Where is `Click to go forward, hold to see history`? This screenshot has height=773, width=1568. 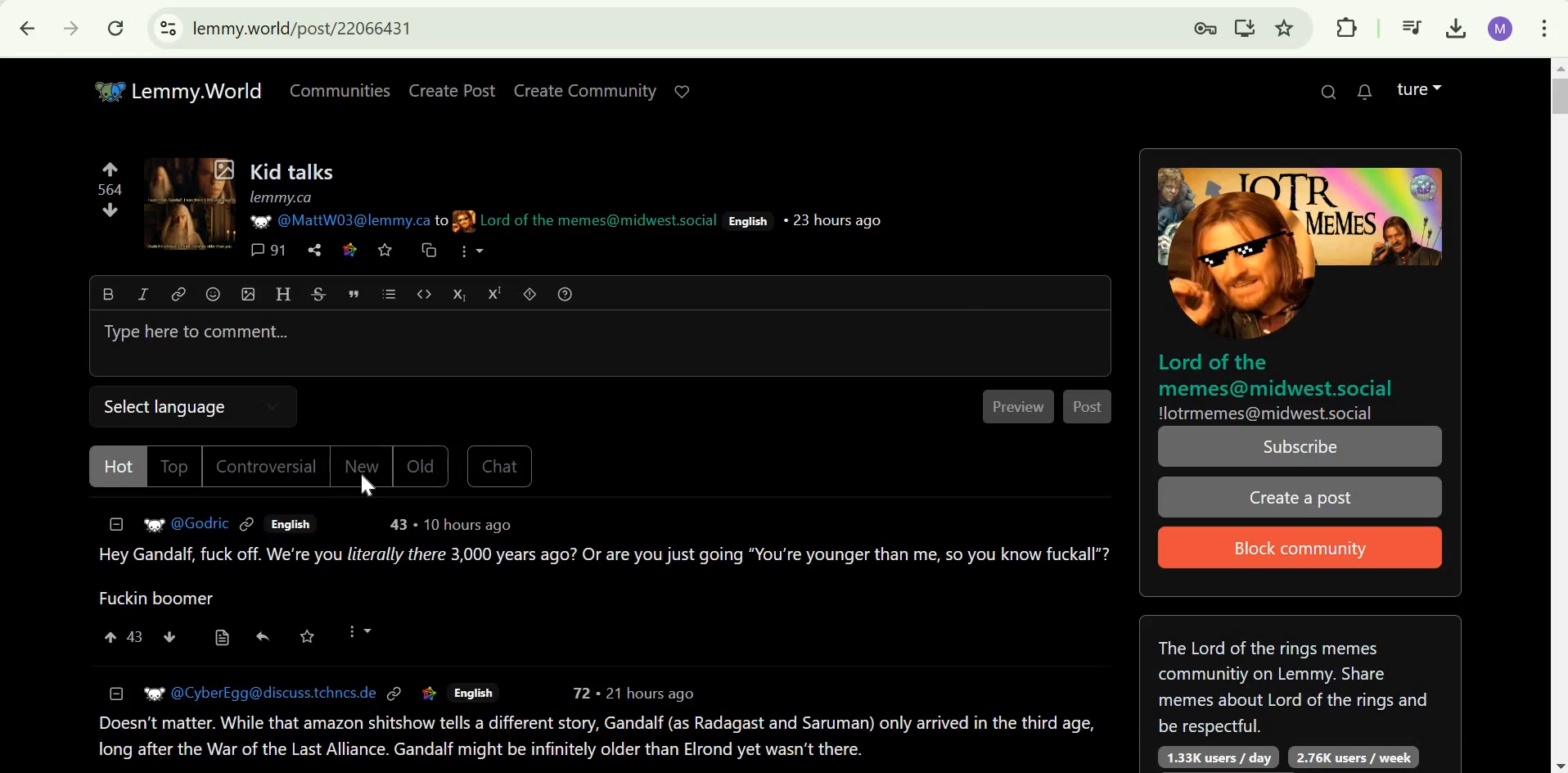
Click to go forward, hold to see history is located at coordinates (70, 28).